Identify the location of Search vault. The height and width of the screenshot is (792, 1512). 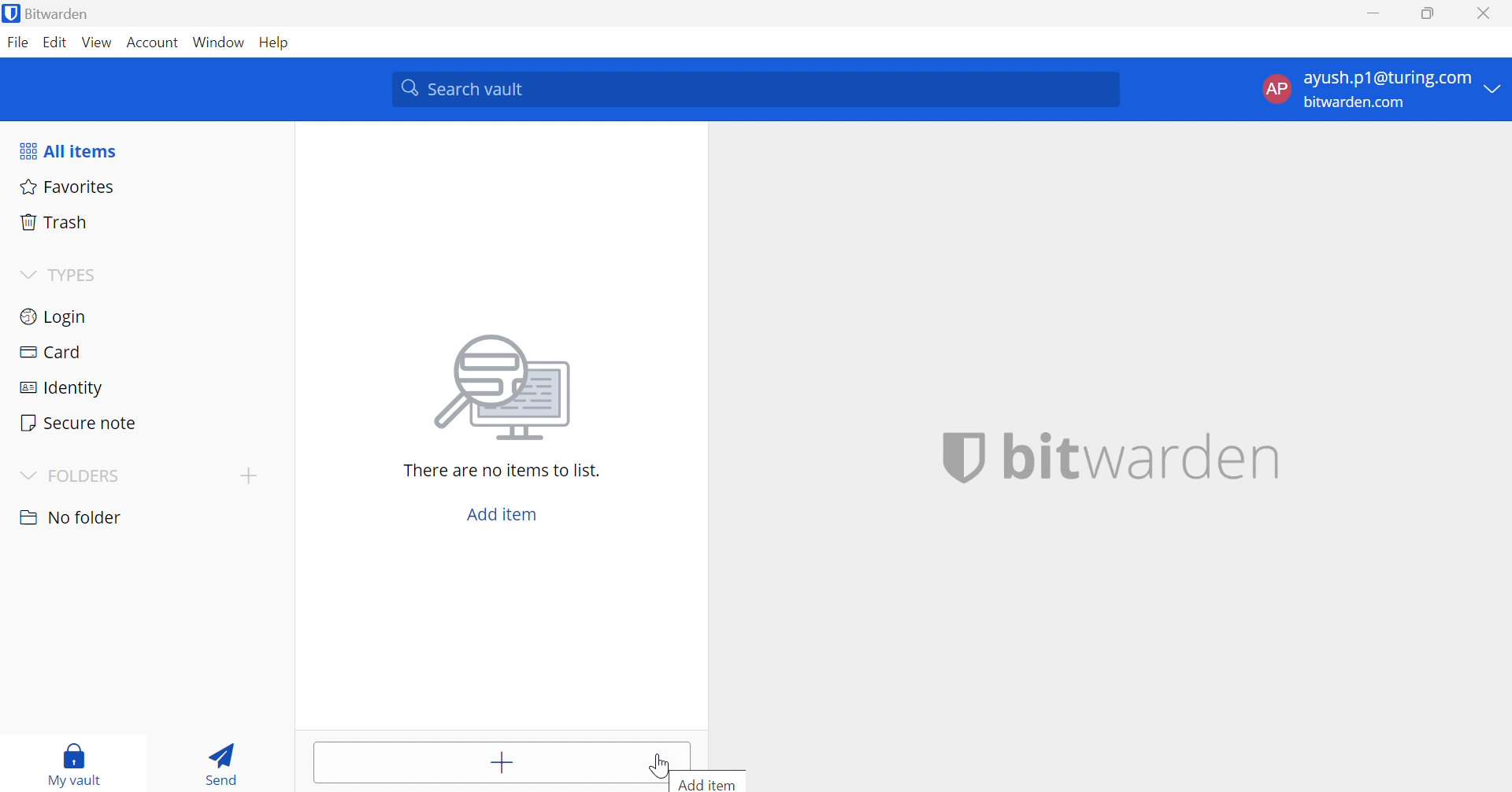
(754, 89).